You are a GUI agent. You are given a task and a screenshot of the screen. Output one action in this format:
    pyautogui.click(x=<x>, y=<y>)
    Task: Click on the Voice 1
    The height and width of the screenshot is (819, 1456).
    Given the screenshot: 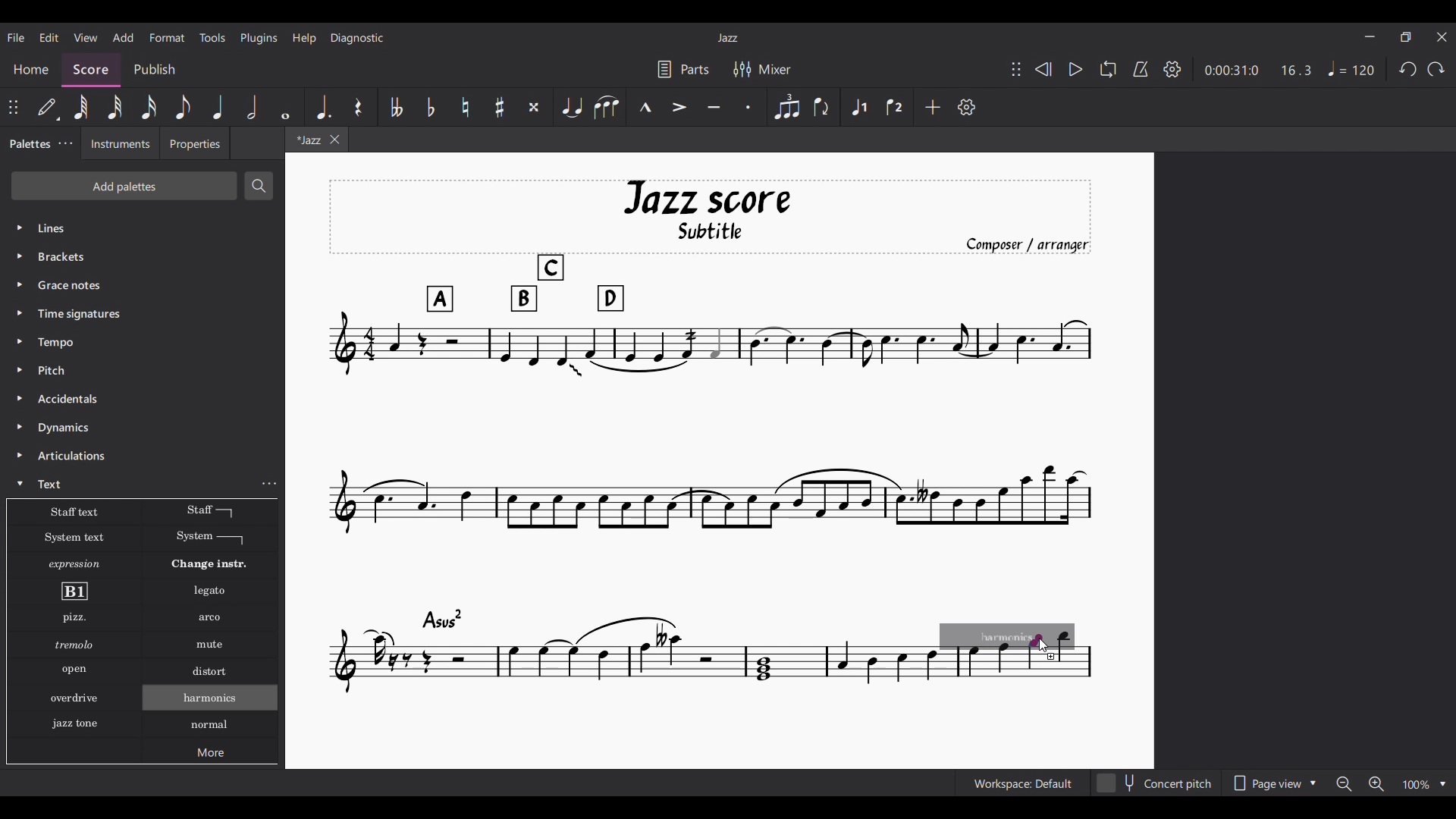 What is the action you would take?
    pyautogui.click(x=858, y=107)
    